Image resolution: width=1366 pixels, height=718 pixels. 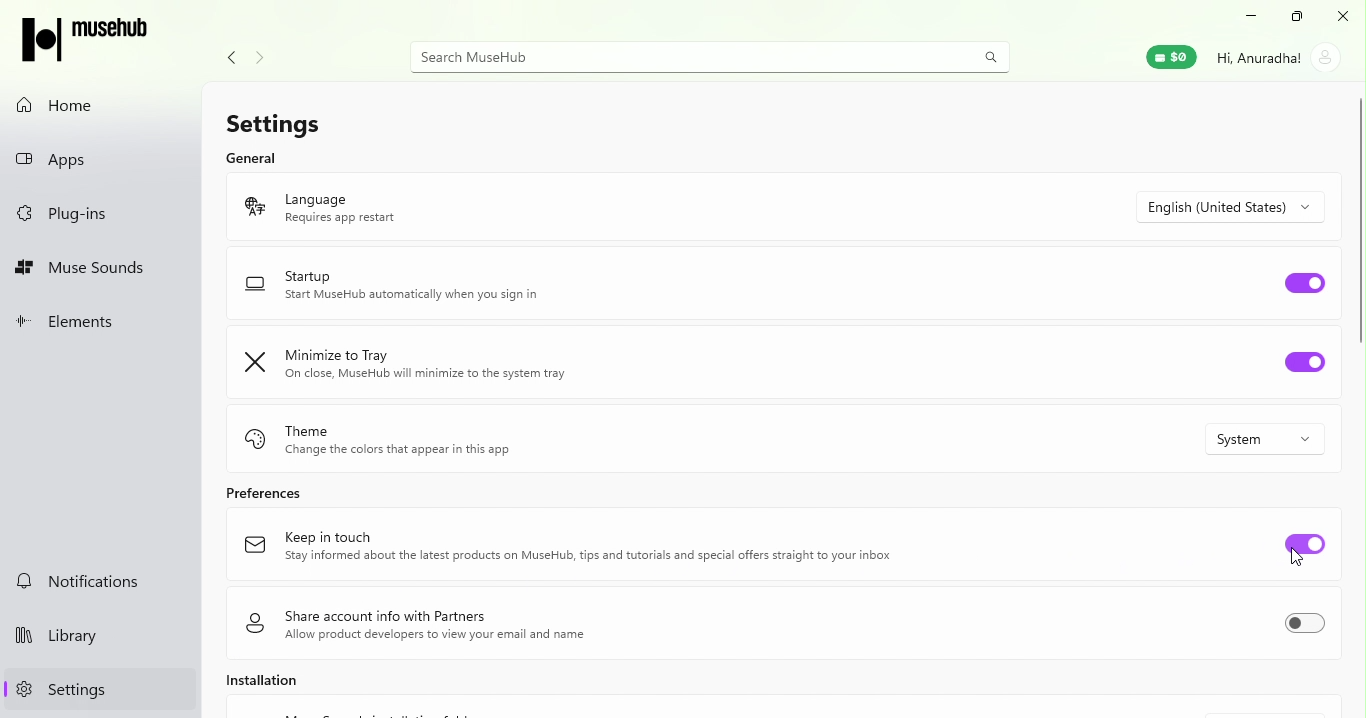 What do you see at coordinates (100, 581) in the screenshot?
I see `Notifications` at bounding box center [100, 581].